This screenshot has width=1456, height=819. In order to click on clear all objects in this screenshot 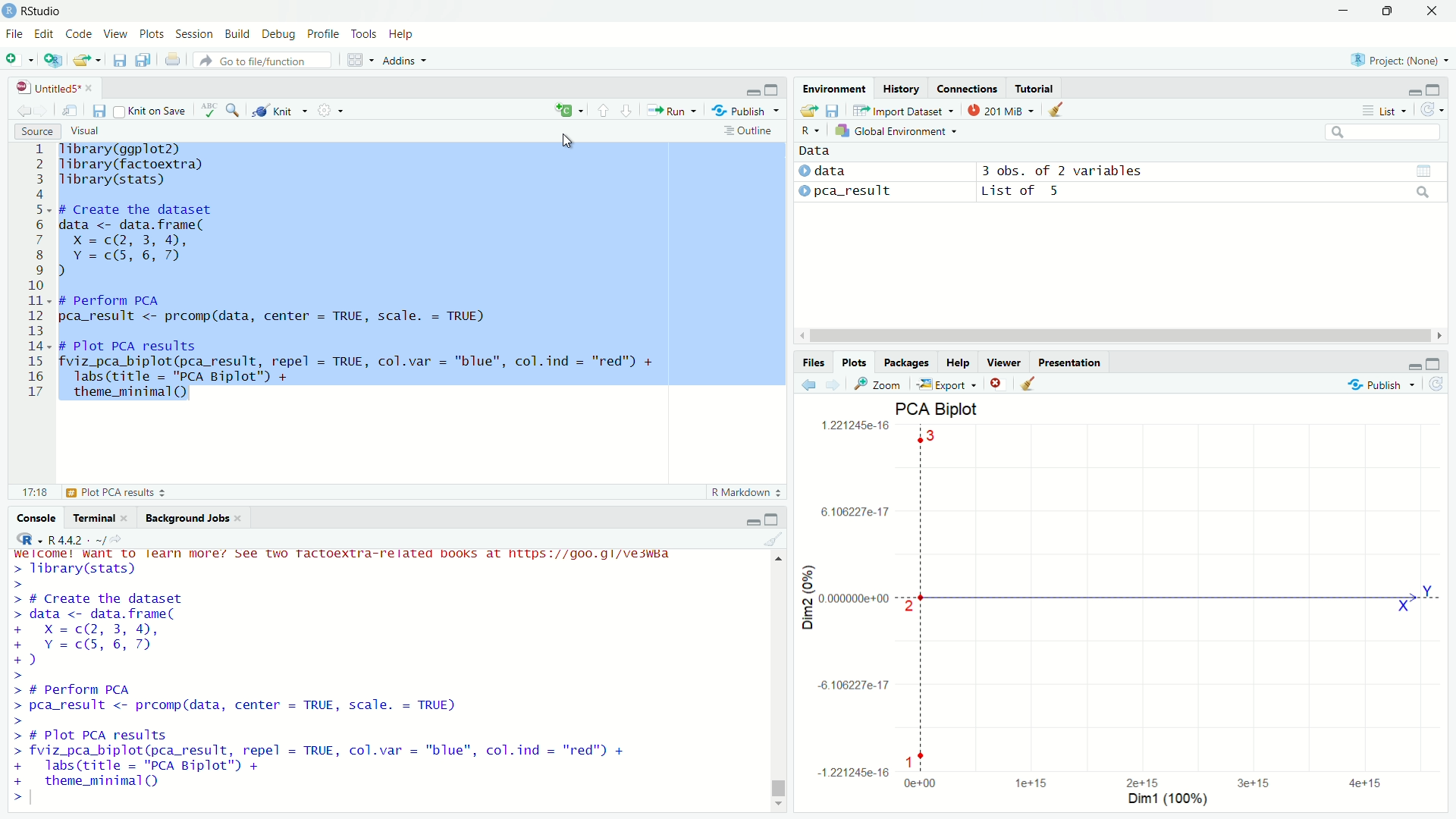, I will do `click(1057, 108)`.